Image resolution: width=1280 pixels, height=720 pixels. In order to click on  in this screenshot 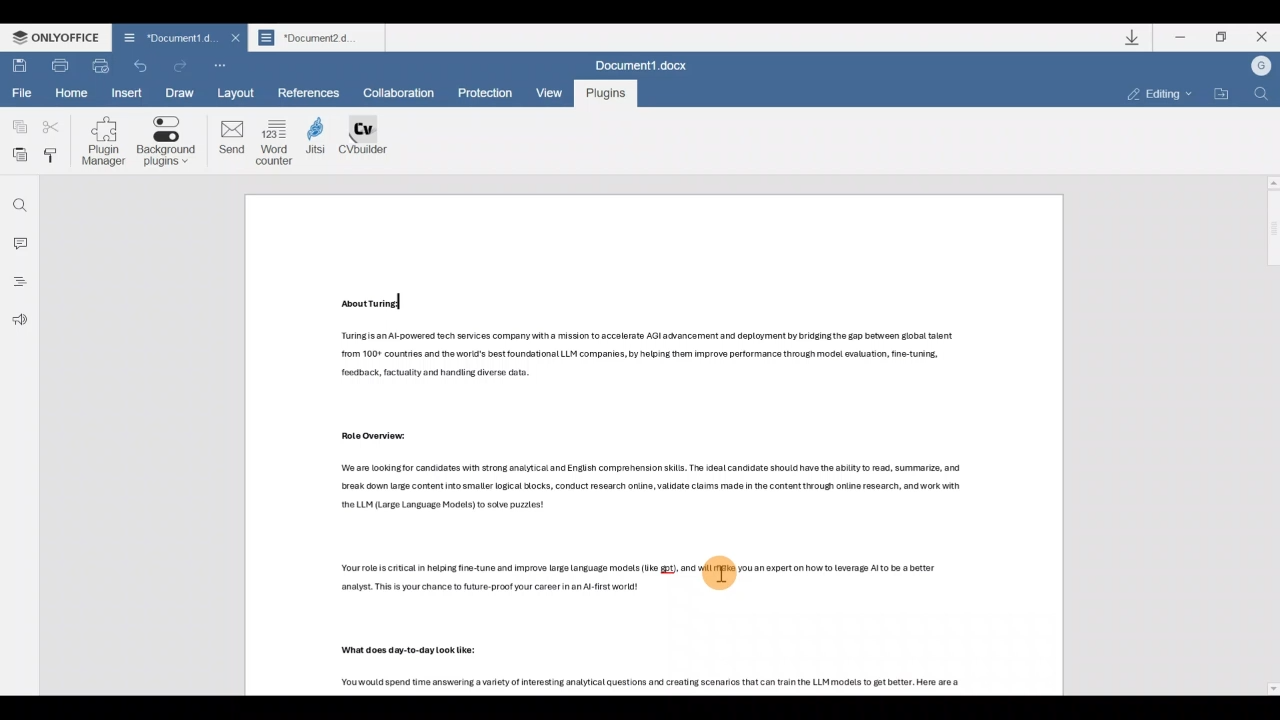, I will do `click(723, 574)`.